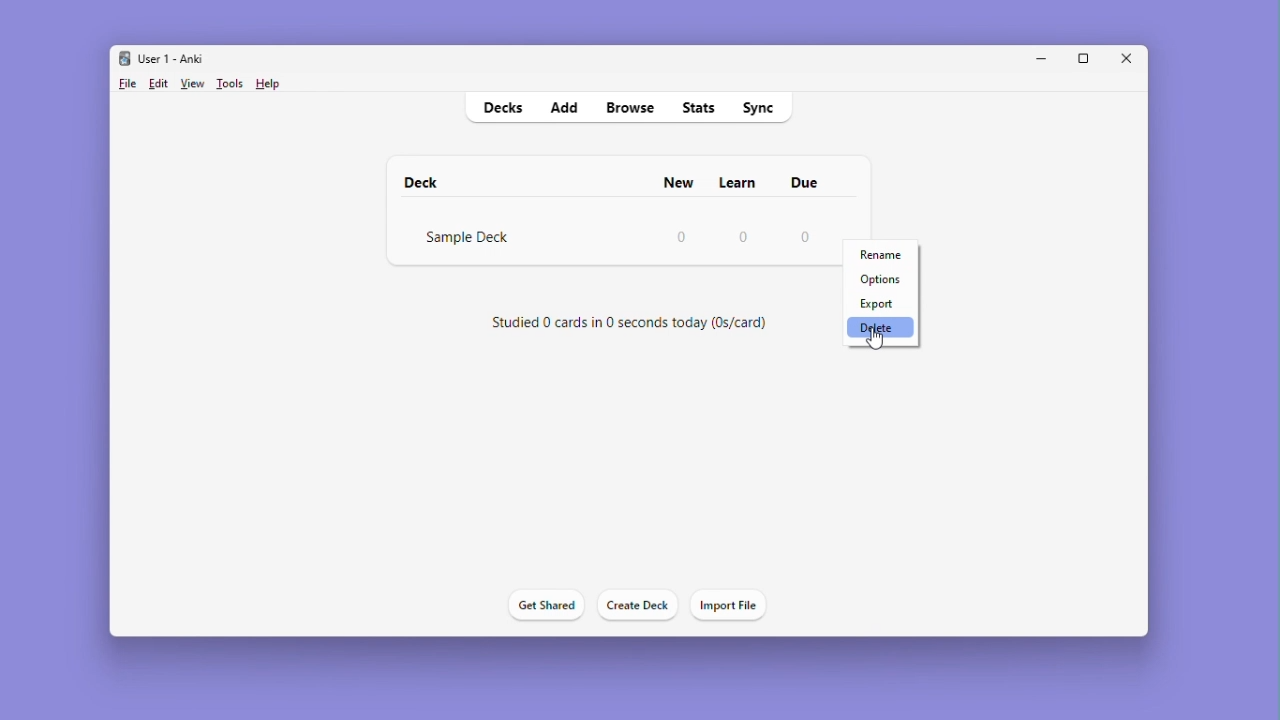 The height and width of the screenshot is (720, 1280). I want to click on Help , so click(265, 85).